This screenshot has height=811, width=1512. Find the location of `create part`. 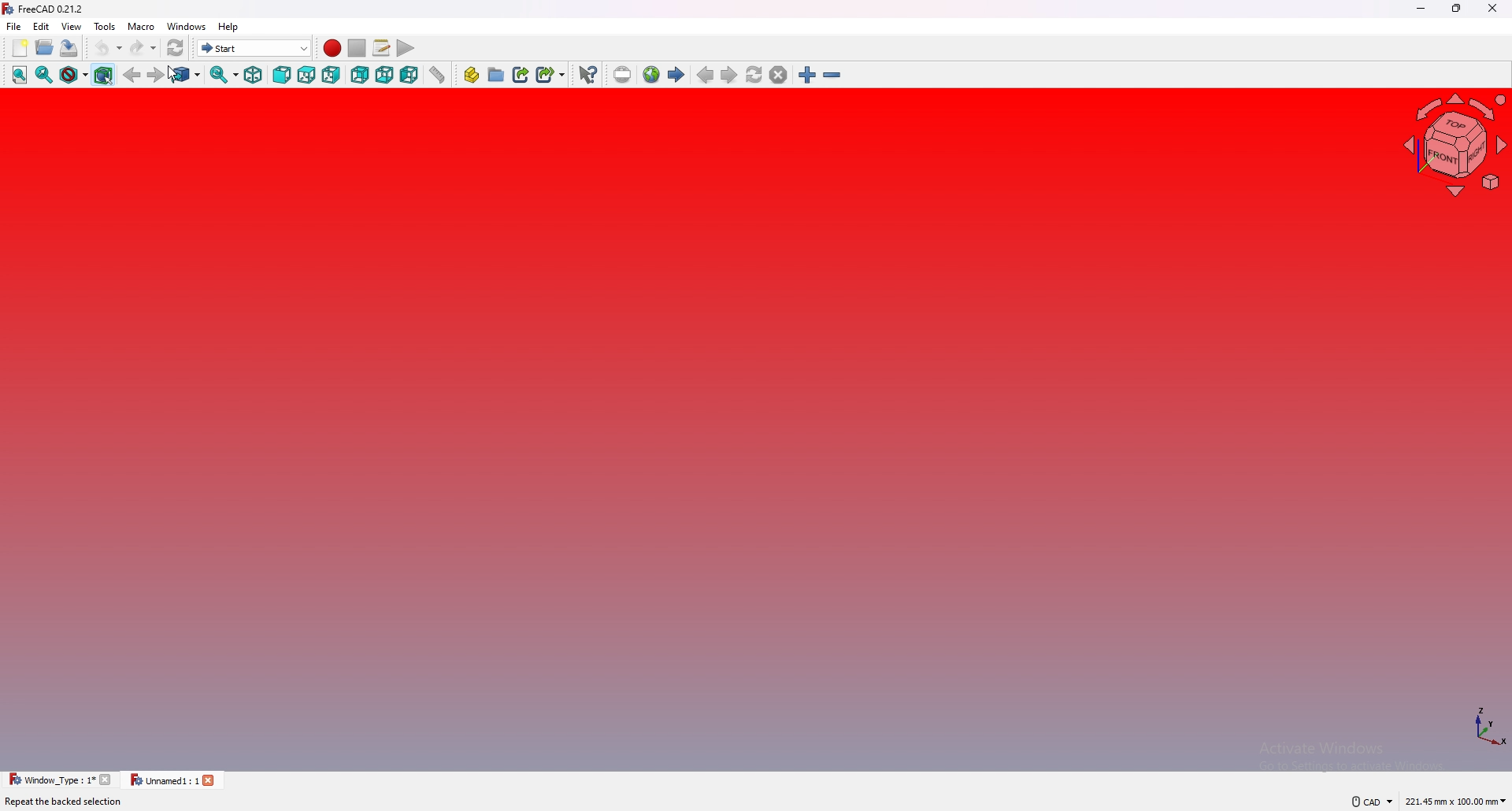

create part is located at coordinates (472, 75).